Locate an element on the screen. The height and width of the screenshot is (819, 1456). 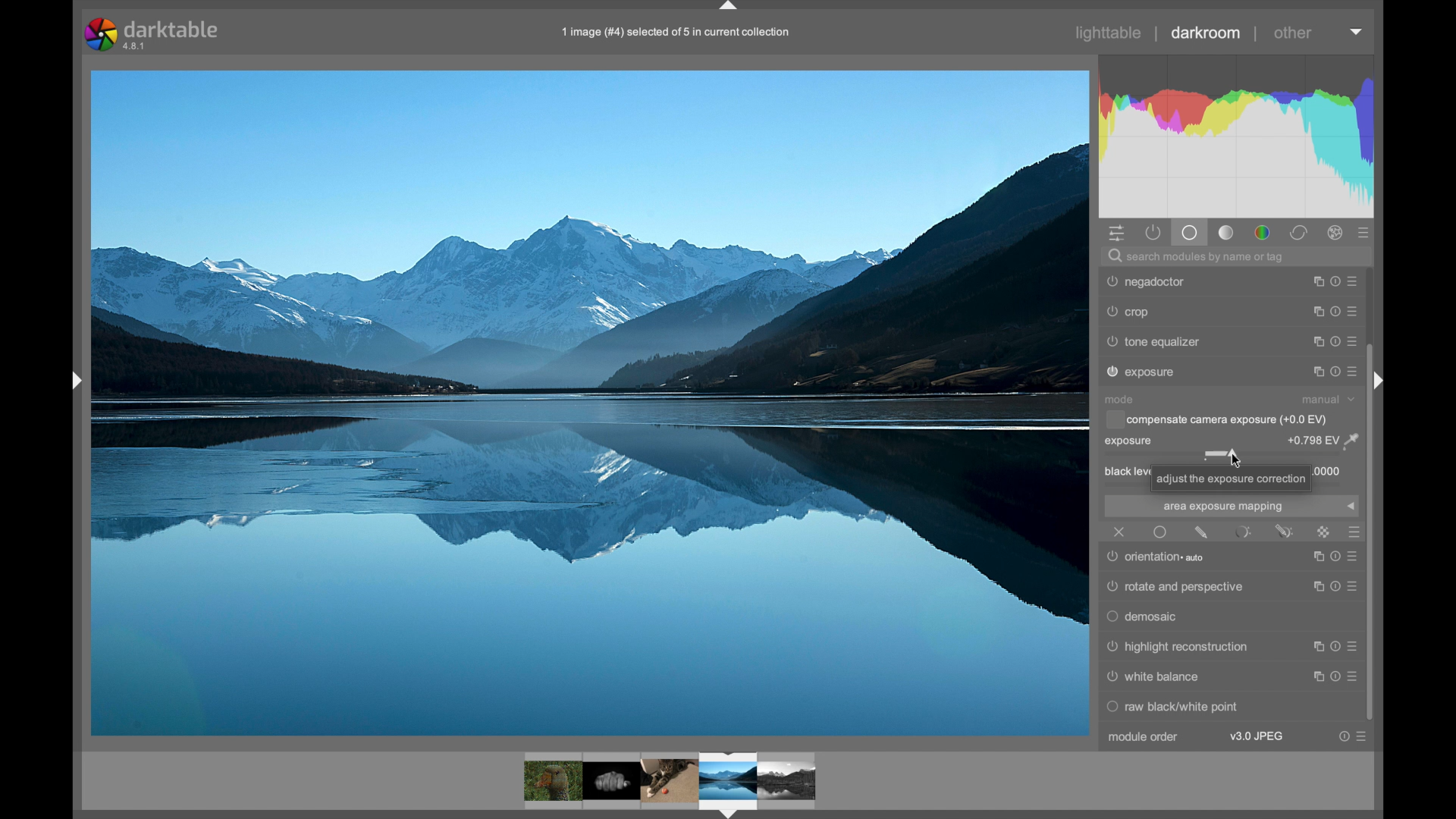
scroll box is located at coordinates (1379, 532).